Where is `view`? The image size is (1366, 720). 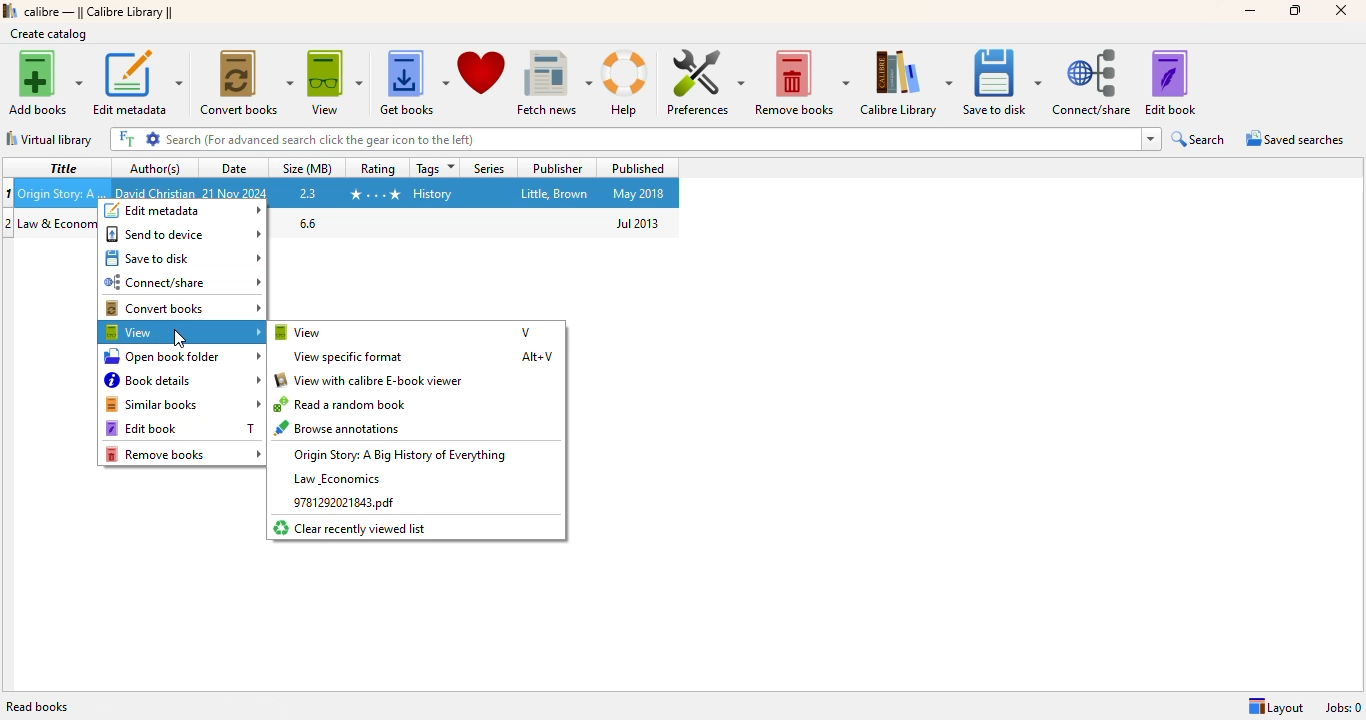
view is located at coordinates (336, 84).